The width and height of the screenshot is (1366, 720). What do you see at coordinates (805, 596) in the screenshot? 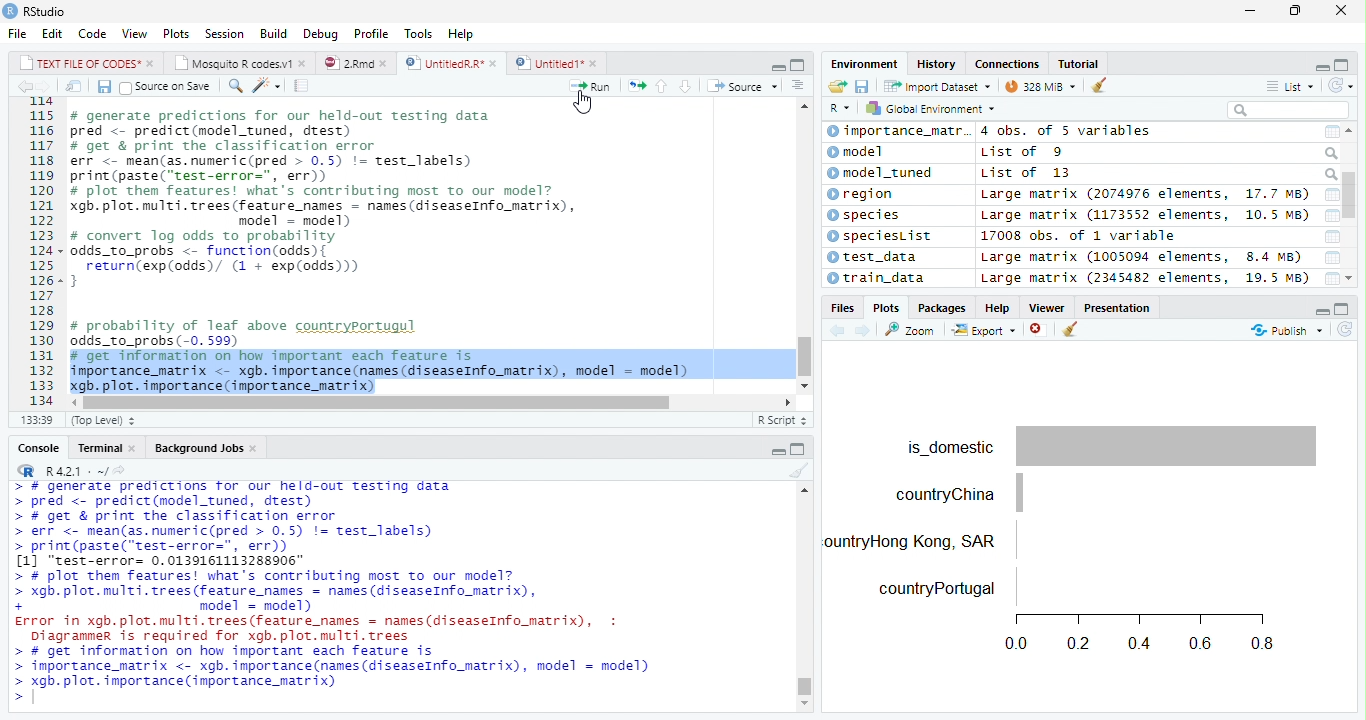
I see `Scroll` at bounding box center [805, 596].